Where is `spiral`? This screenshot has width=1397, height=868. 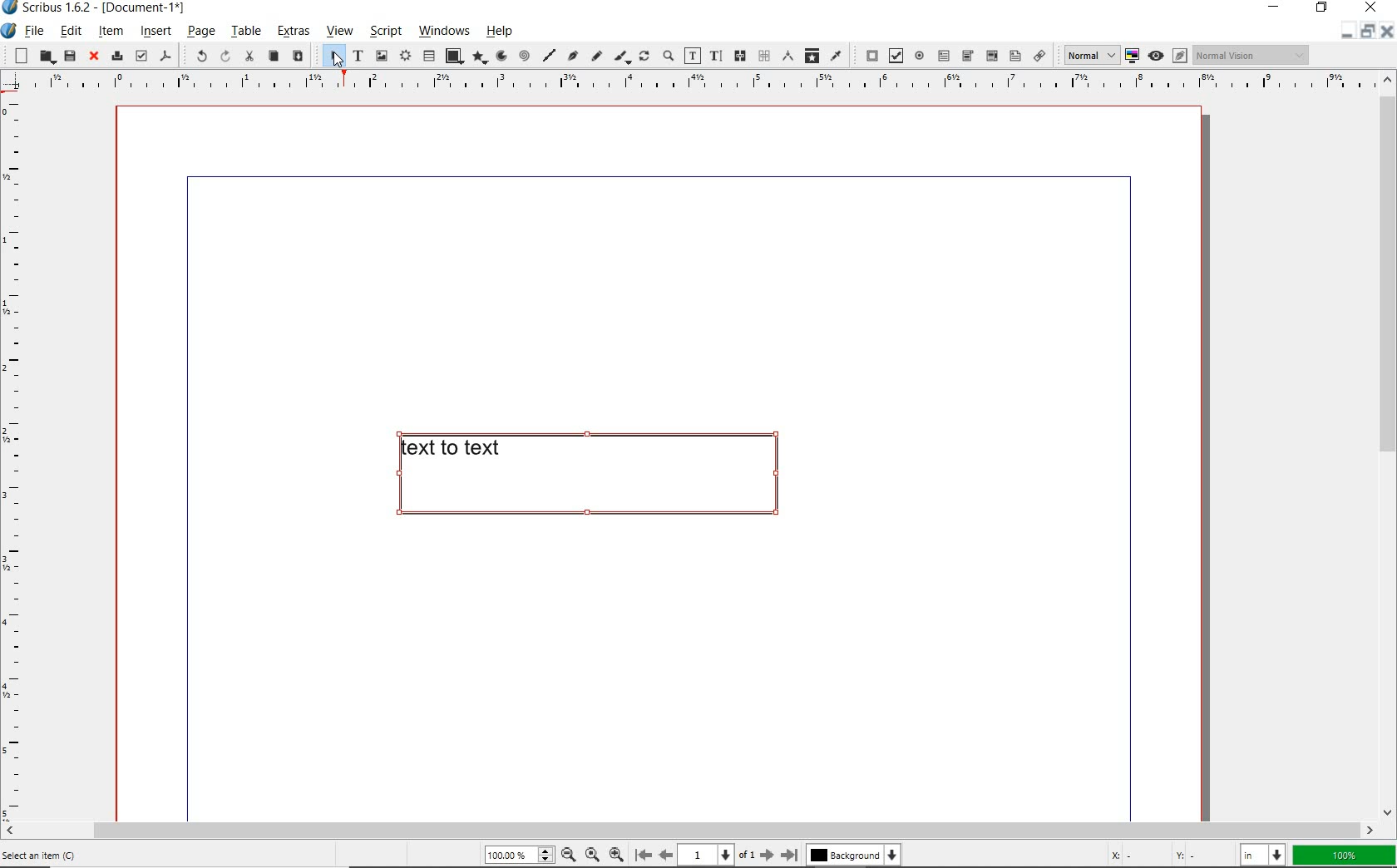
spiral is located at coordinates (524, 57).